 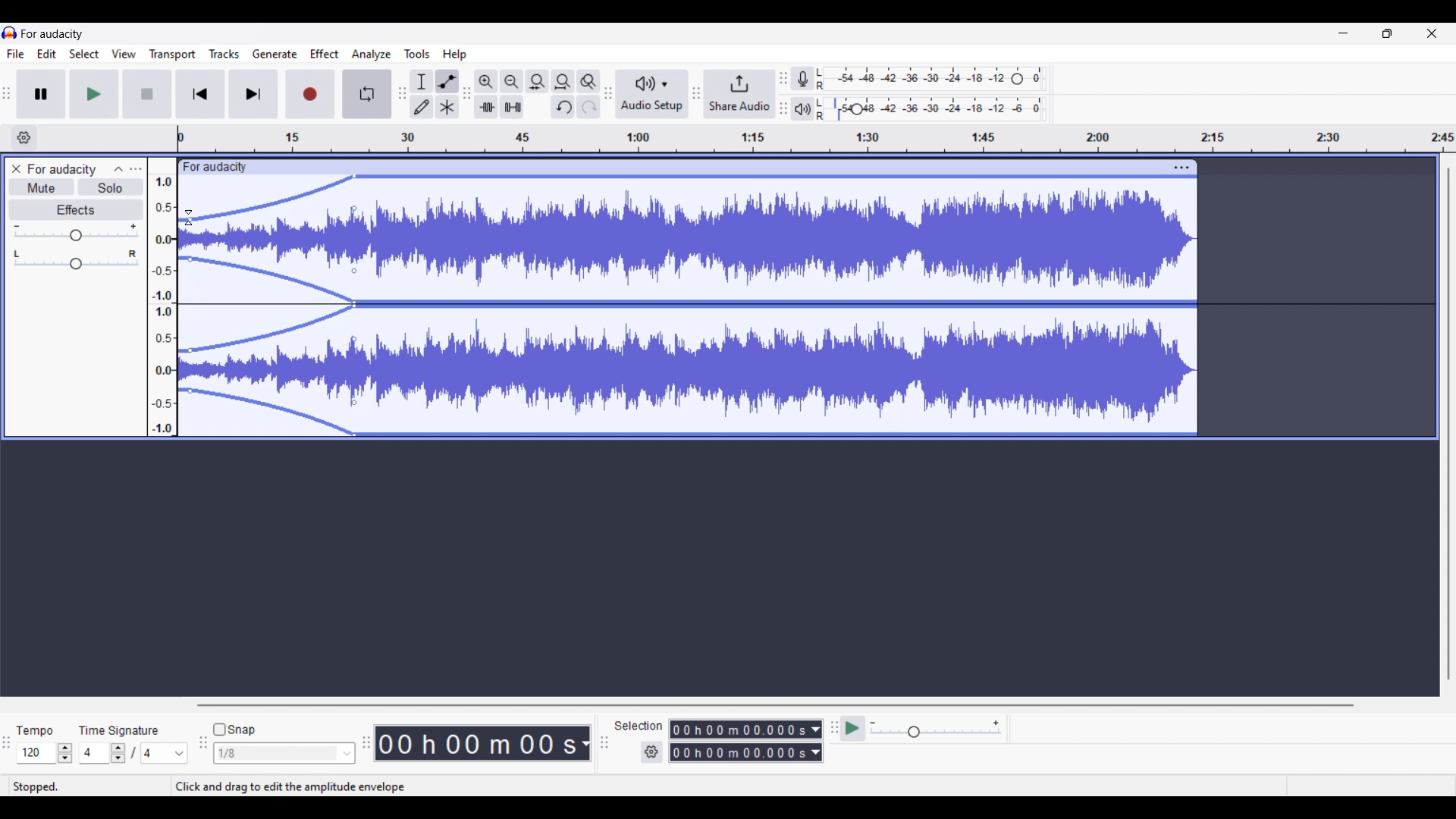 What do you see at coordinates (77, 233) in the screenshot?
I see `Volume slider` at bounding box center [77, 233].